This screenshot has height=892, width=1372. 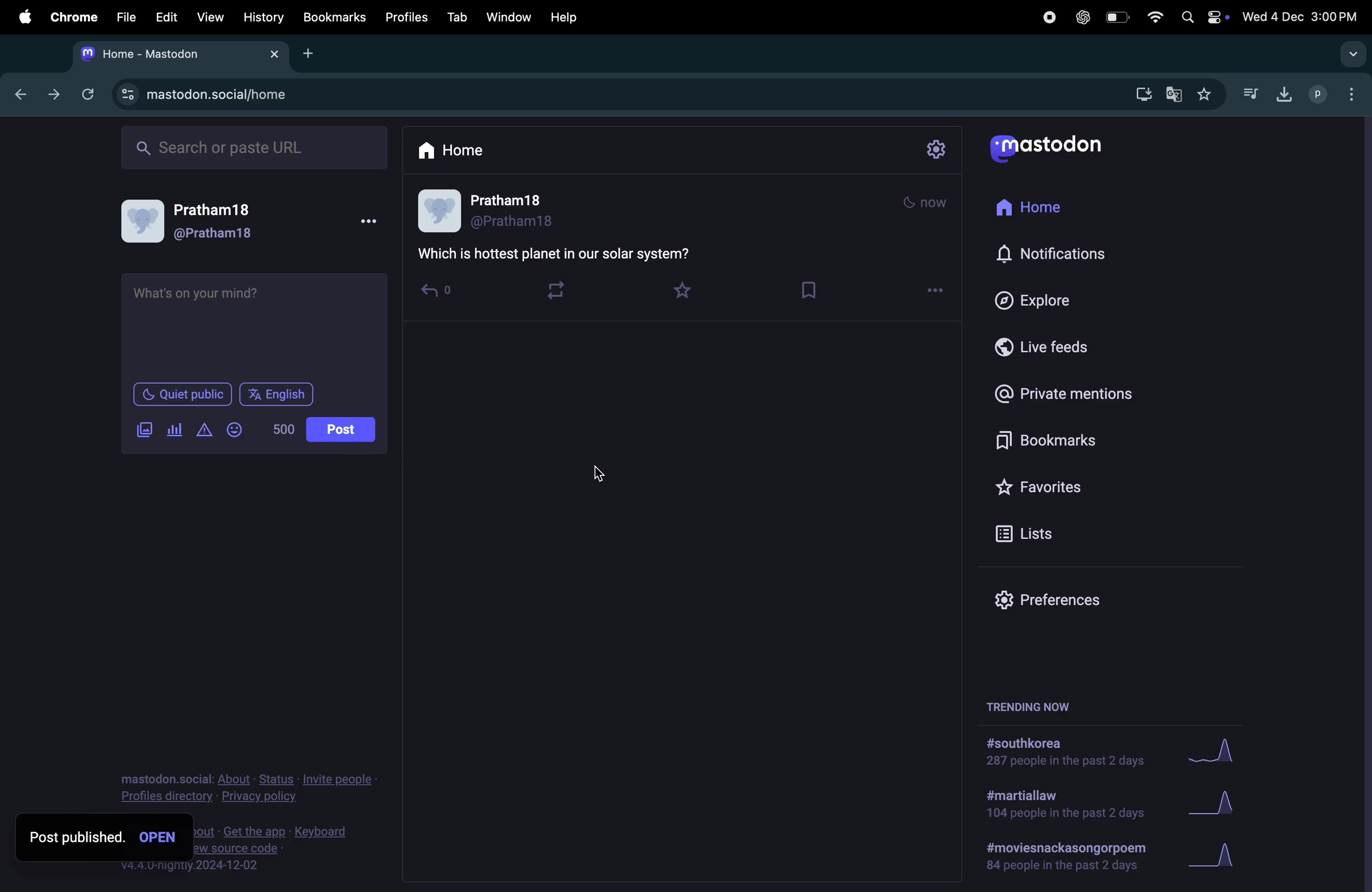 What do you see at coordinates (209, 19) in the screenshot?
I see `view` at bounding box center [209, 19].